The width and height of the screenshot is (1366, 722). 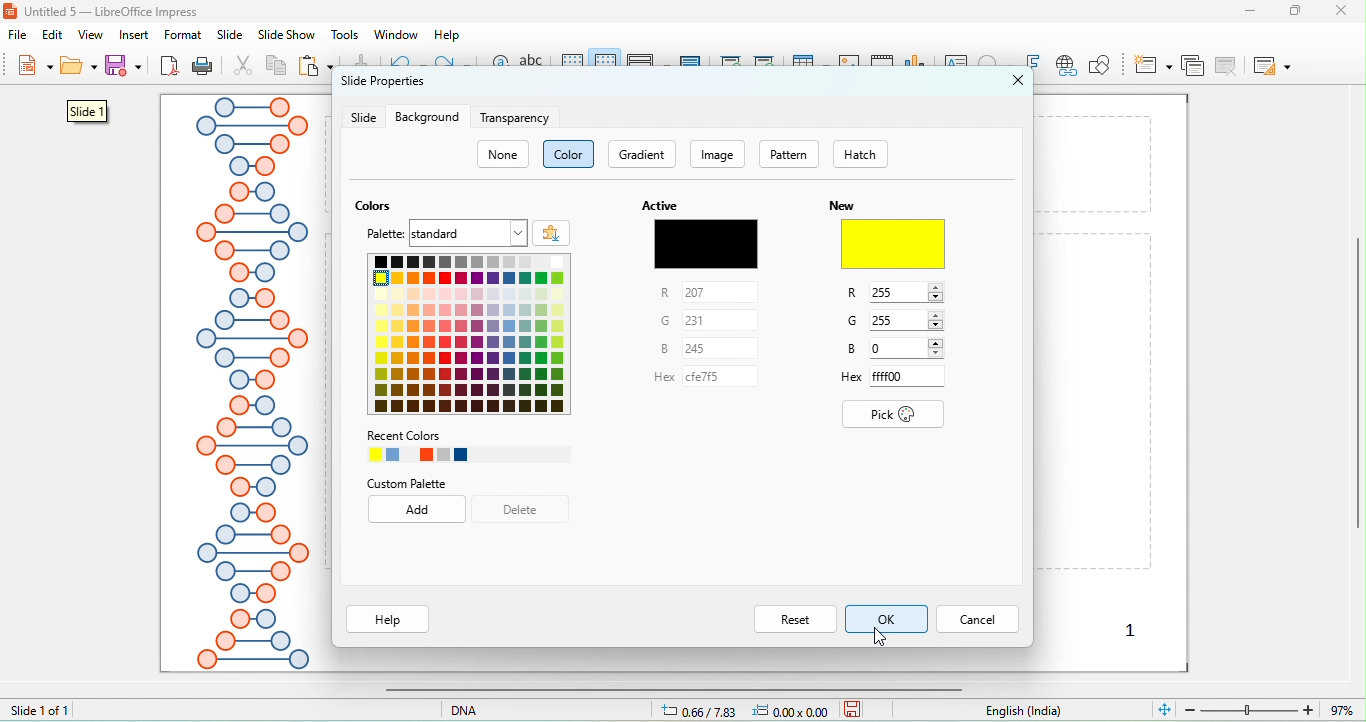 I want to click on chart, so click(x=918, y=66).